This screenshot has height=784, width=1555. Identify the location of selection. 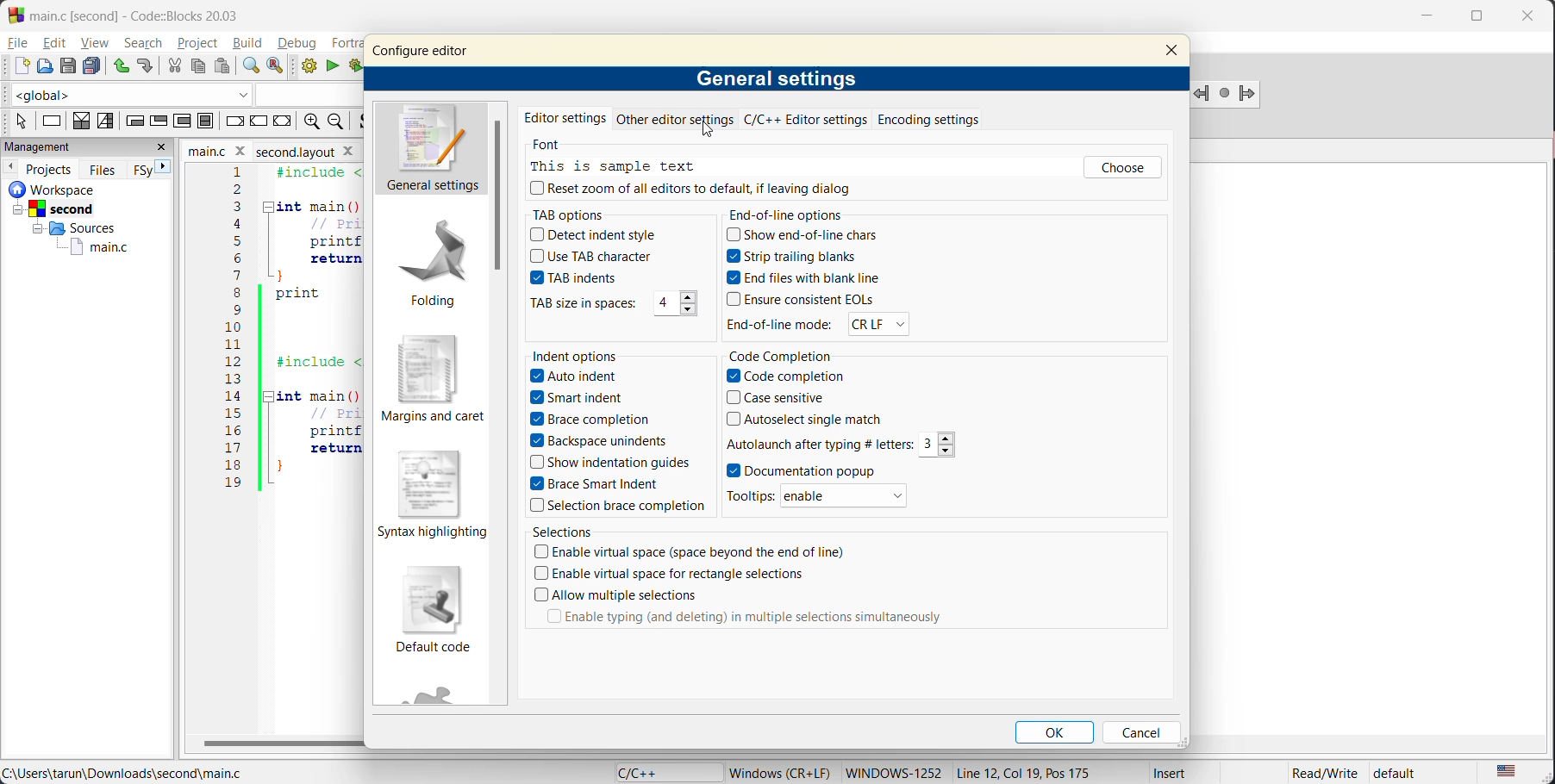
(105, 122).